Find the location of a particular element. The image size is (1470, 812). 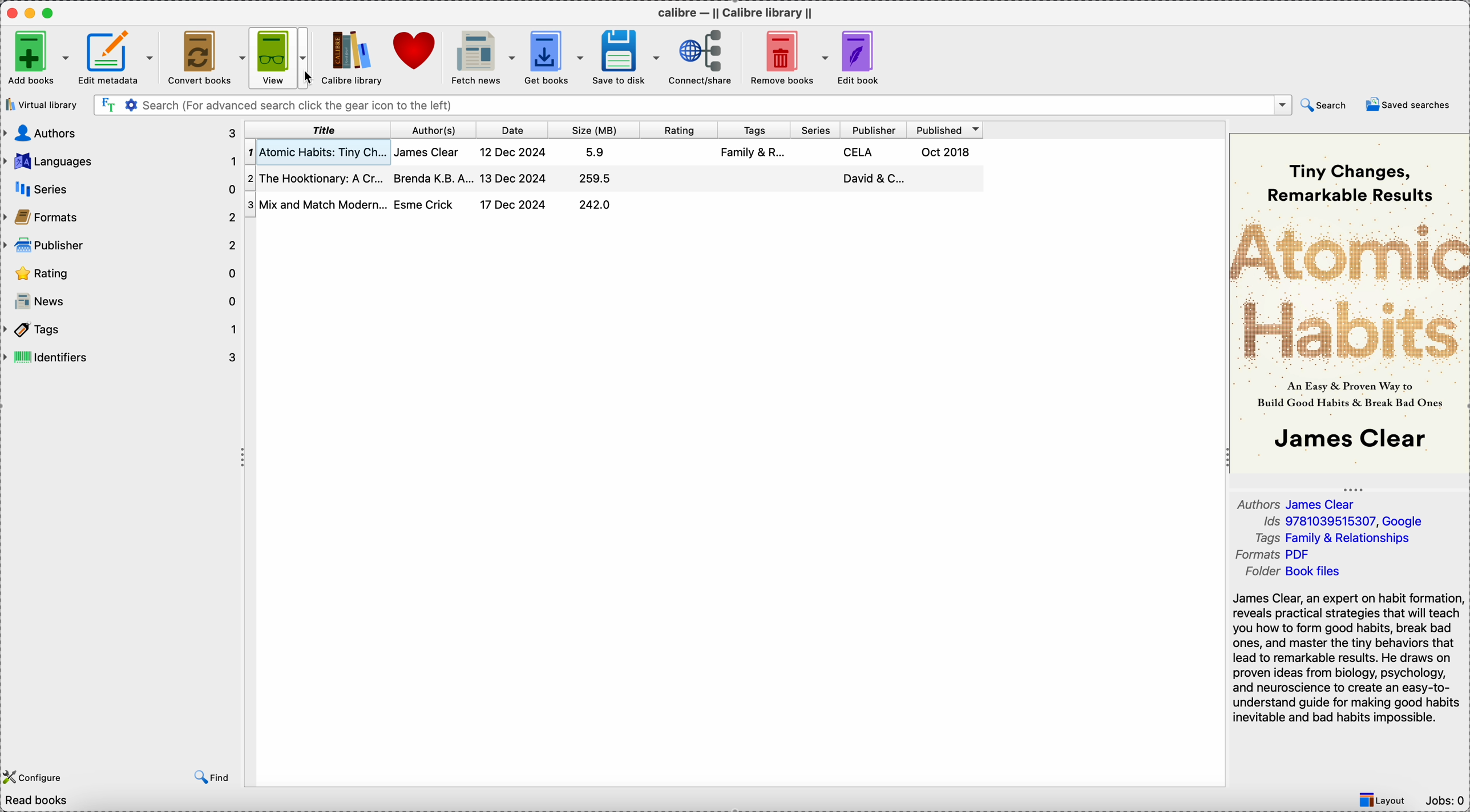

rating is located at coordinates (681, 129).